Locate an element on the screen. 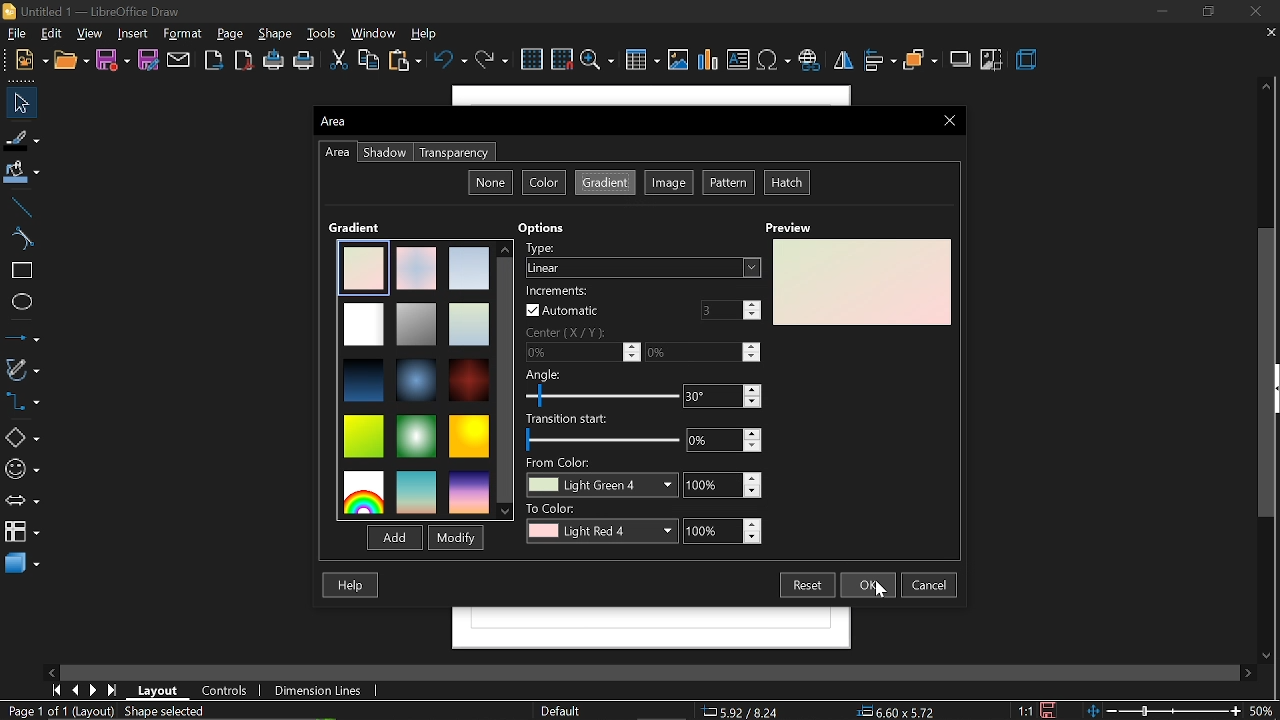 The image size is (1280, 720). restore down is located at coordinates (1207, 11).